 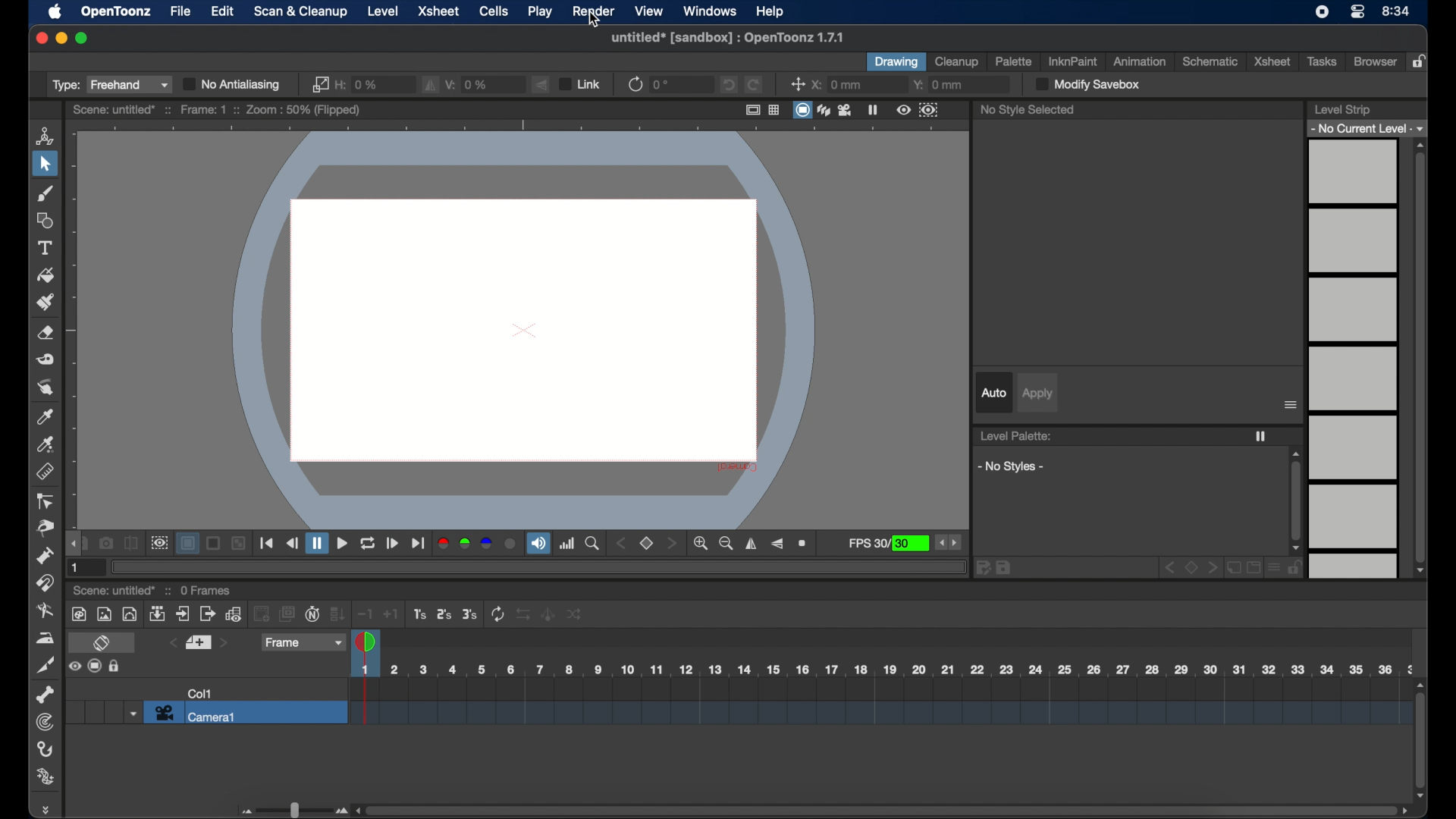 What do you see at coordinates (1172, 567) in the screenshot?
I see `` at bounding box center [1172, 567].